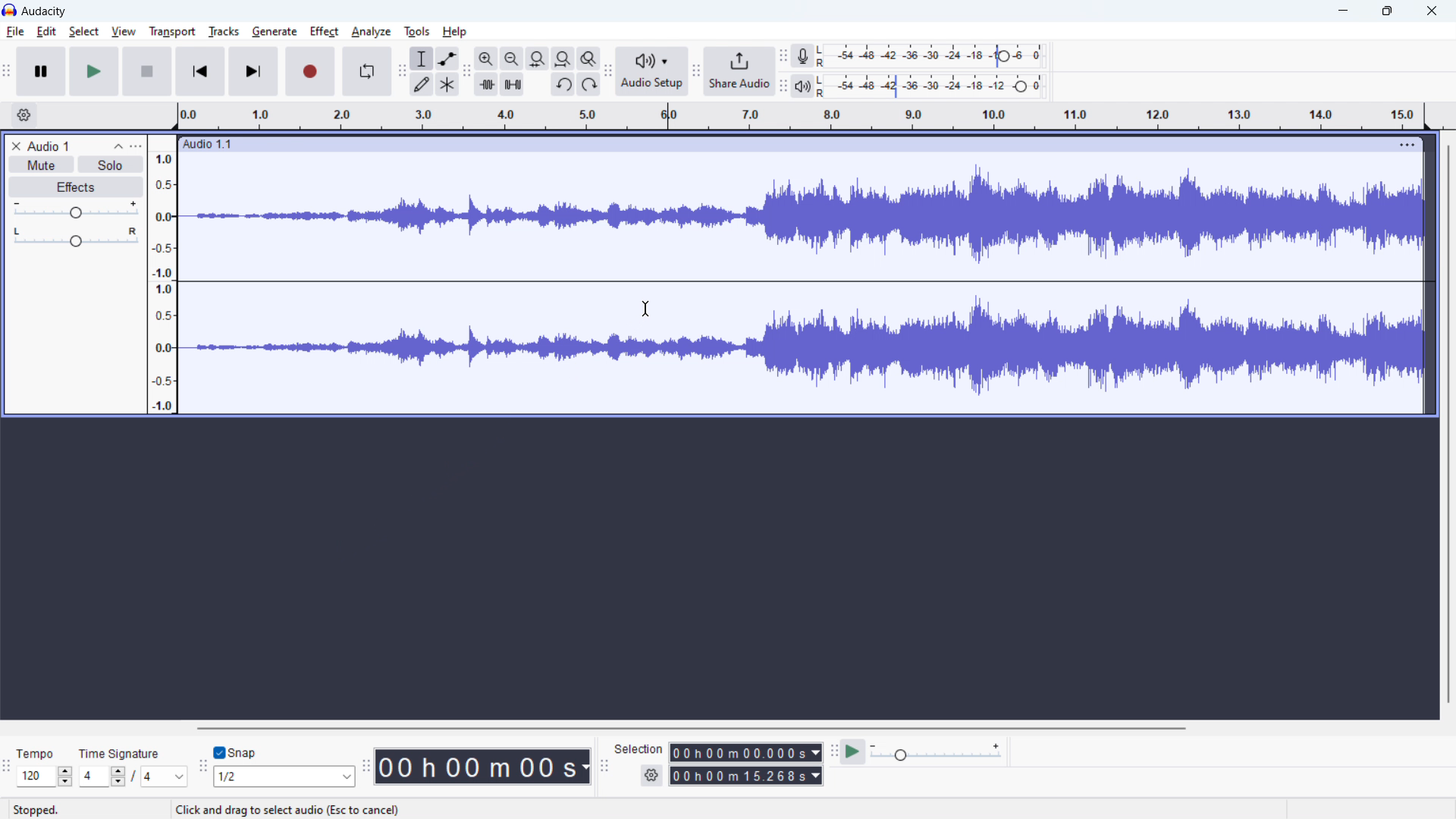  What do you see at coordinates (111, 164) in the screenshot?
I see `solo` at bounding box center [111, 164].